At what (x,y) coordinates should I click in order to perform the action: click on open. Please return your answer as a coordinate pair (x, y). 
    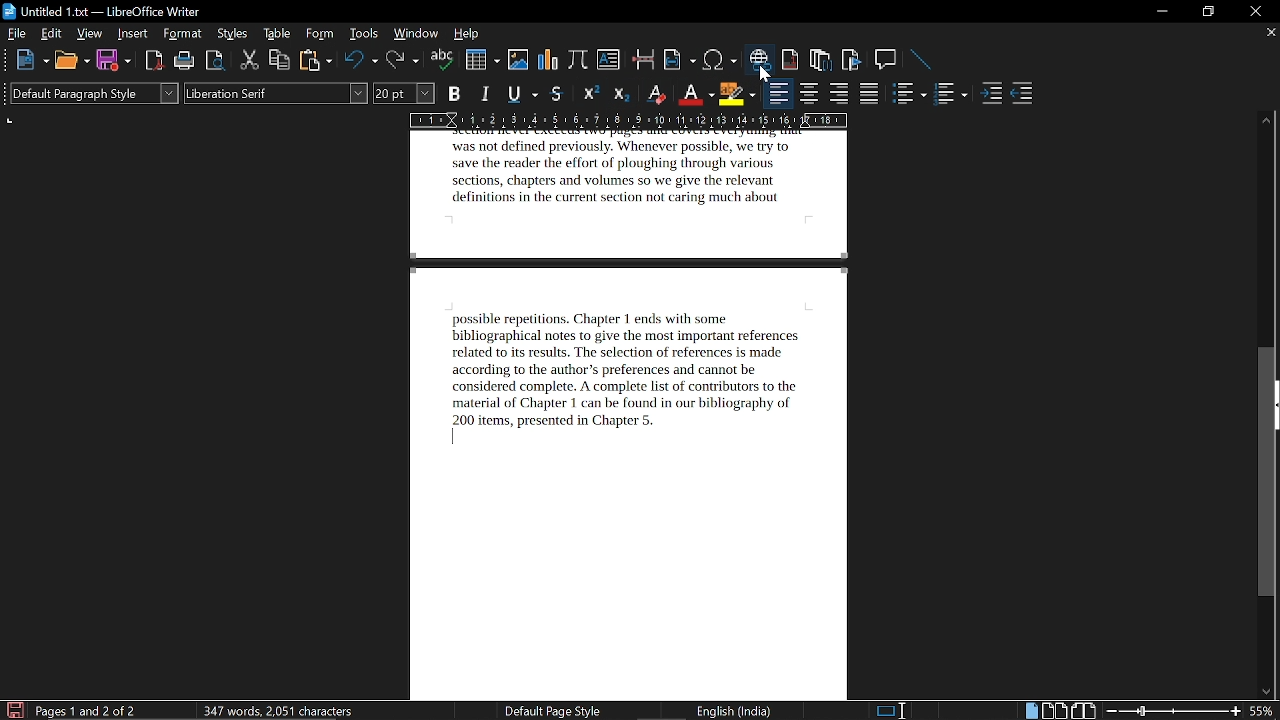
    Looking at the image, I should click on (71, 61).